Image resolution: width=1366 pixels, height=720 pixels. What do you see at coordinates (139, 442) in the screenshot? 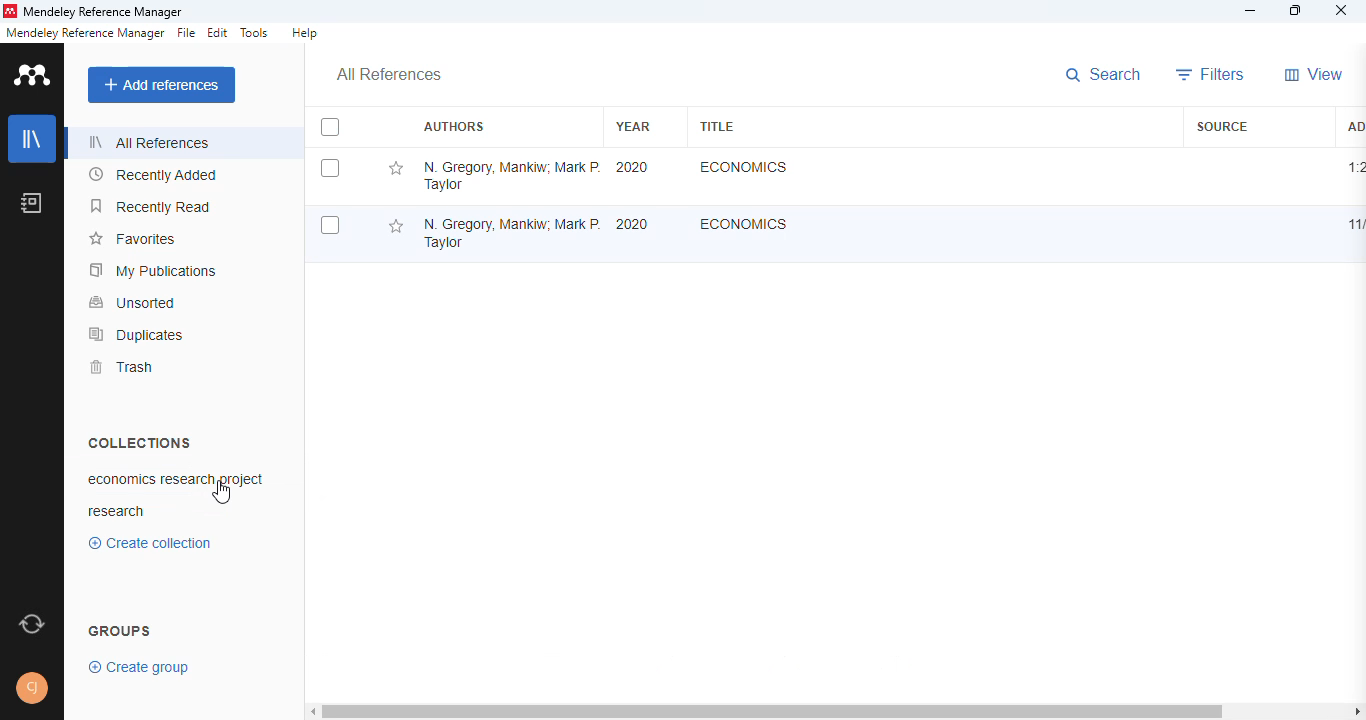
I see `collections` at bounding box center [139, 442].